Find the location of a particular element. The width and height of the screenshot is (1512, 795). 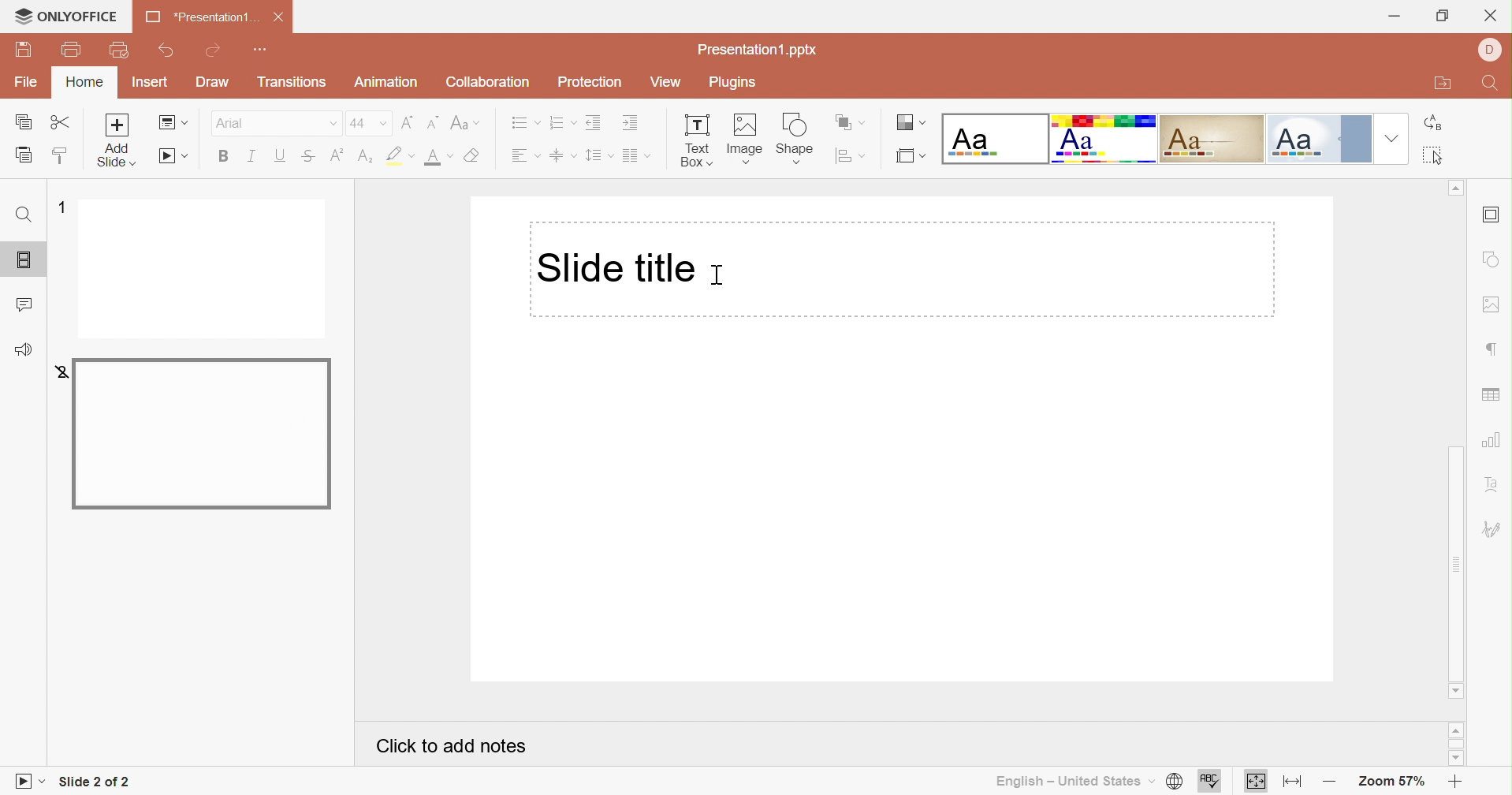

1 is located at coordinates (60, 206).